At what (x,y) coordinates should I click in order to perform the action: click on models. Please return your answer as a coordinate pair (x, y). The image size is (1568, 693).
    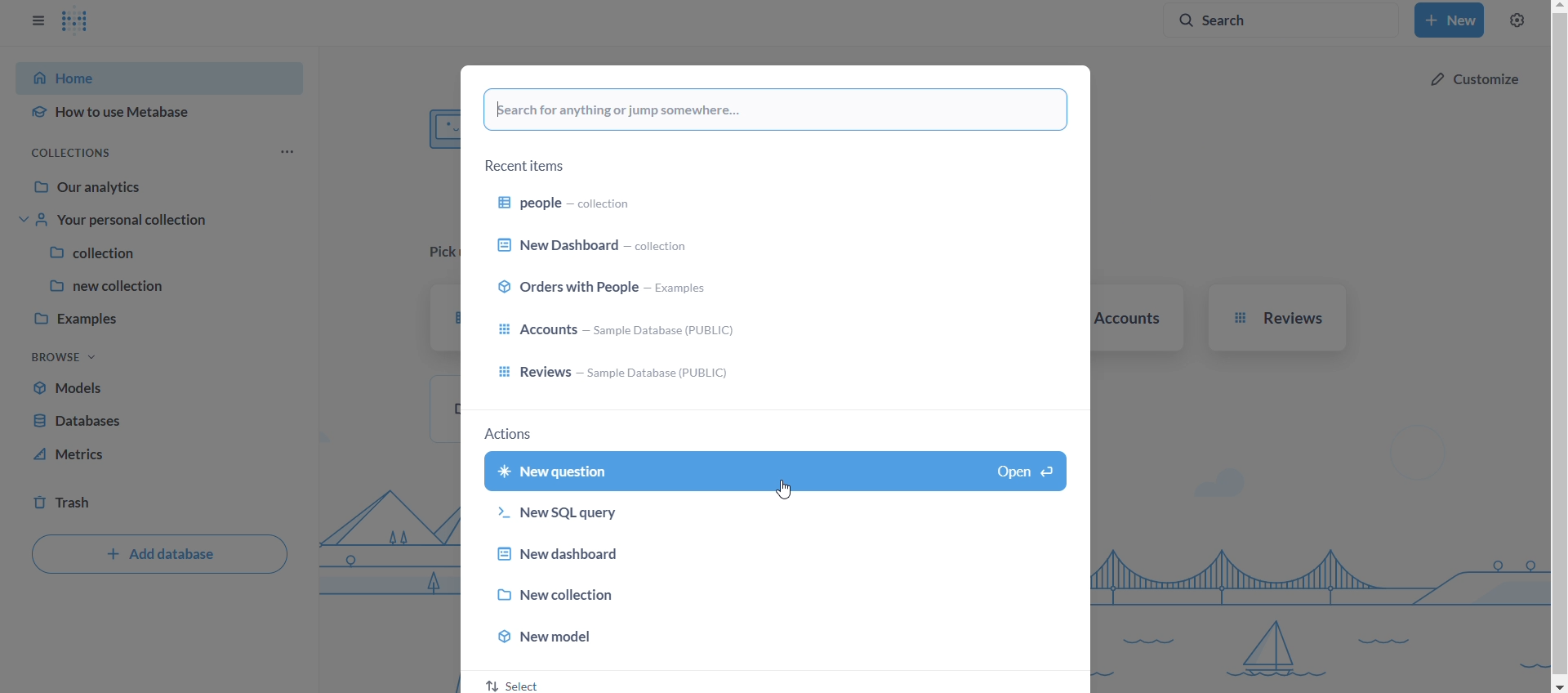
    Looking at the image, I should click on (162, 386).